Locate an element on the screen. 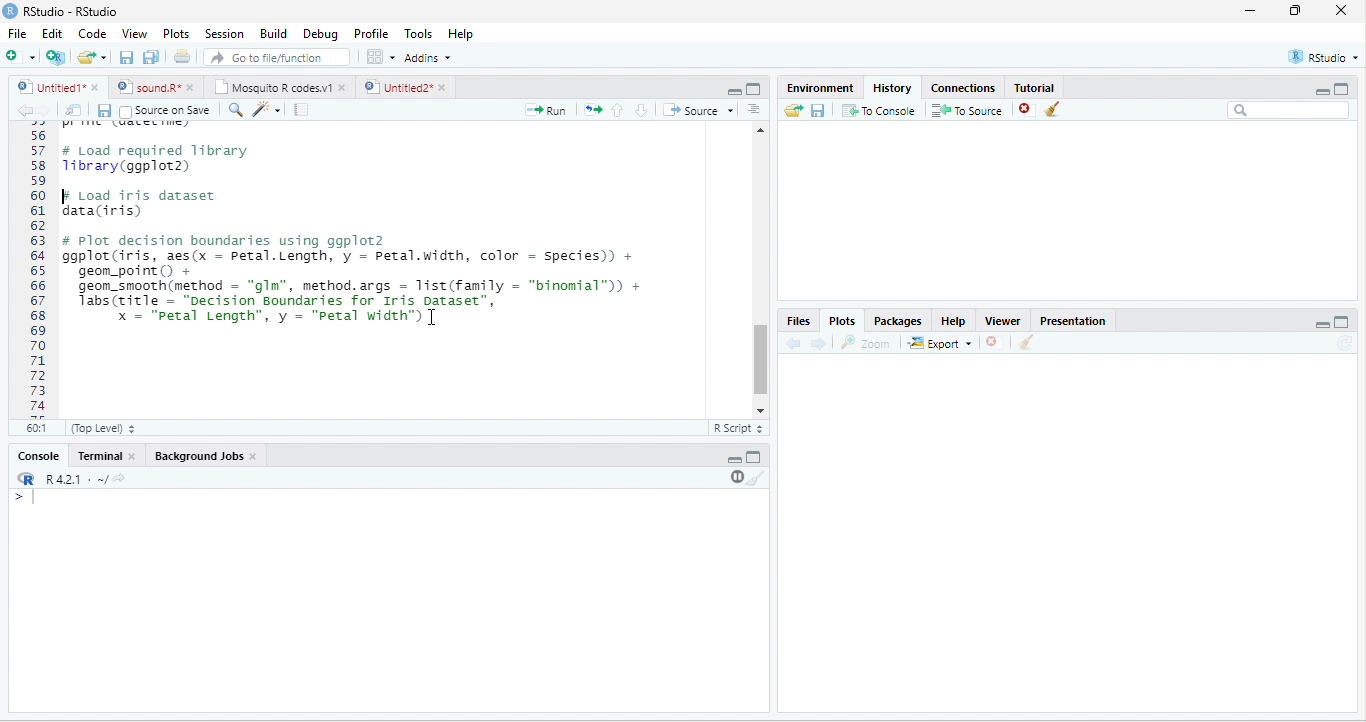 Image resolution: width=1366 pixels, height=722 pixels. tools is located at coordinates (265, 111).